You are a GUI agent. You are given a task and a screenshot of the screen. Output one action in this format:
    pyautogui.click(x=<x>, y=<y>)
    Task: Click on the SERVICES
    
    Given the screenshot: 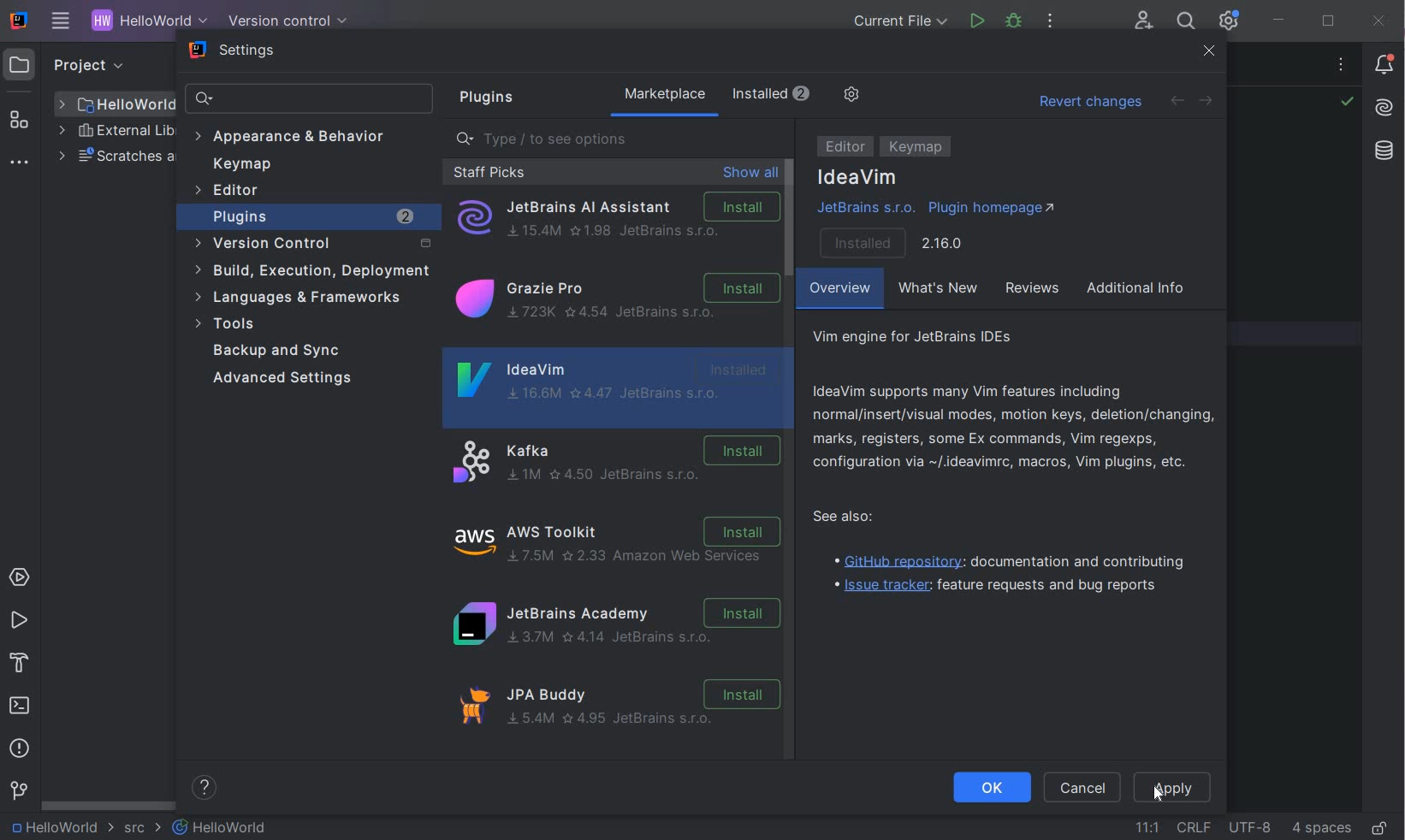 What is the action you would take?
    pyautogui.click(x=20, y=578)
    